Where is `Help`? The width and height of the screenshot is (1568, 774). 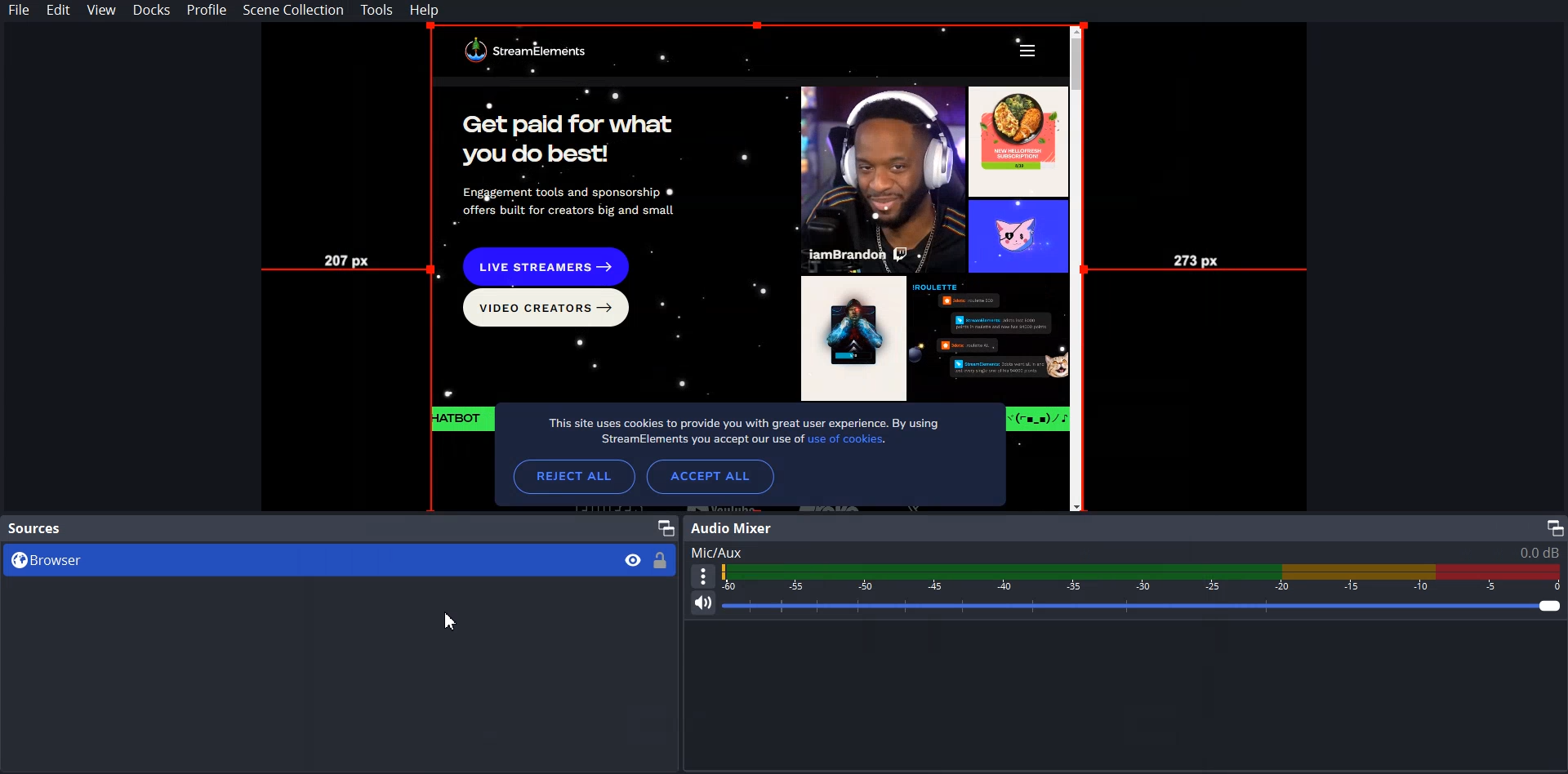
Help is located at coordinates (425, 11).